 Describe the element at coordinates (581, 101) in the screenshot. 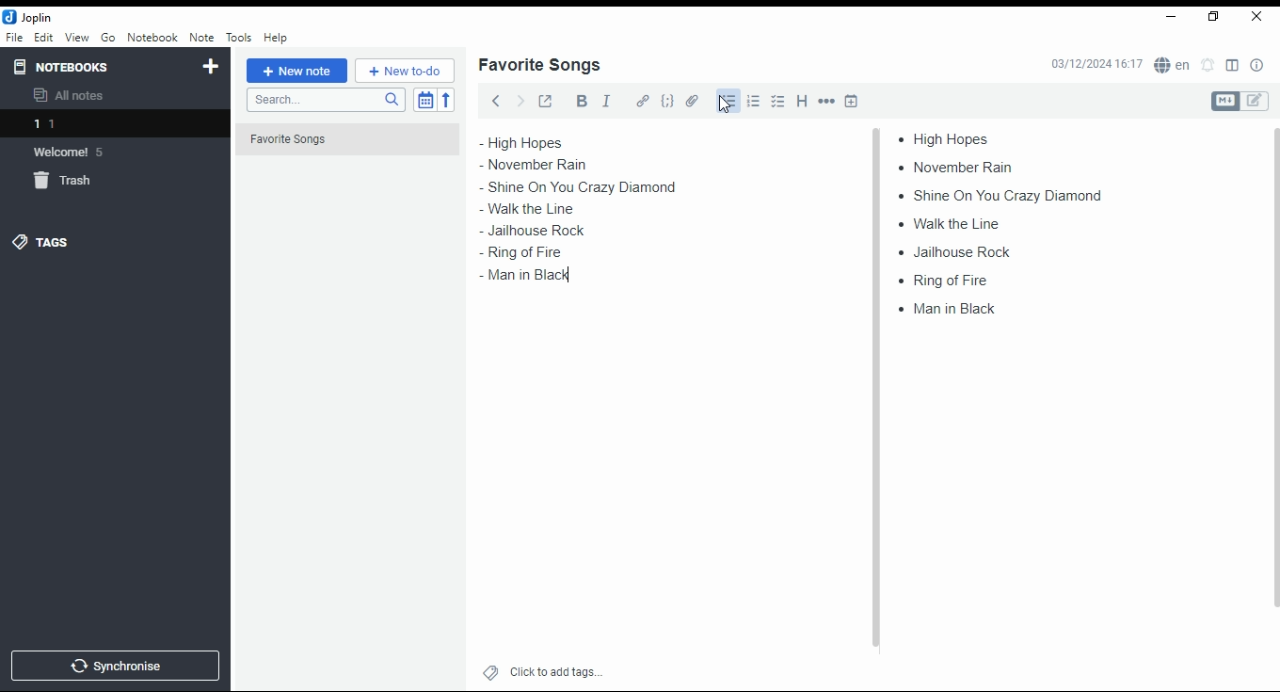

I see `bold` at that location.